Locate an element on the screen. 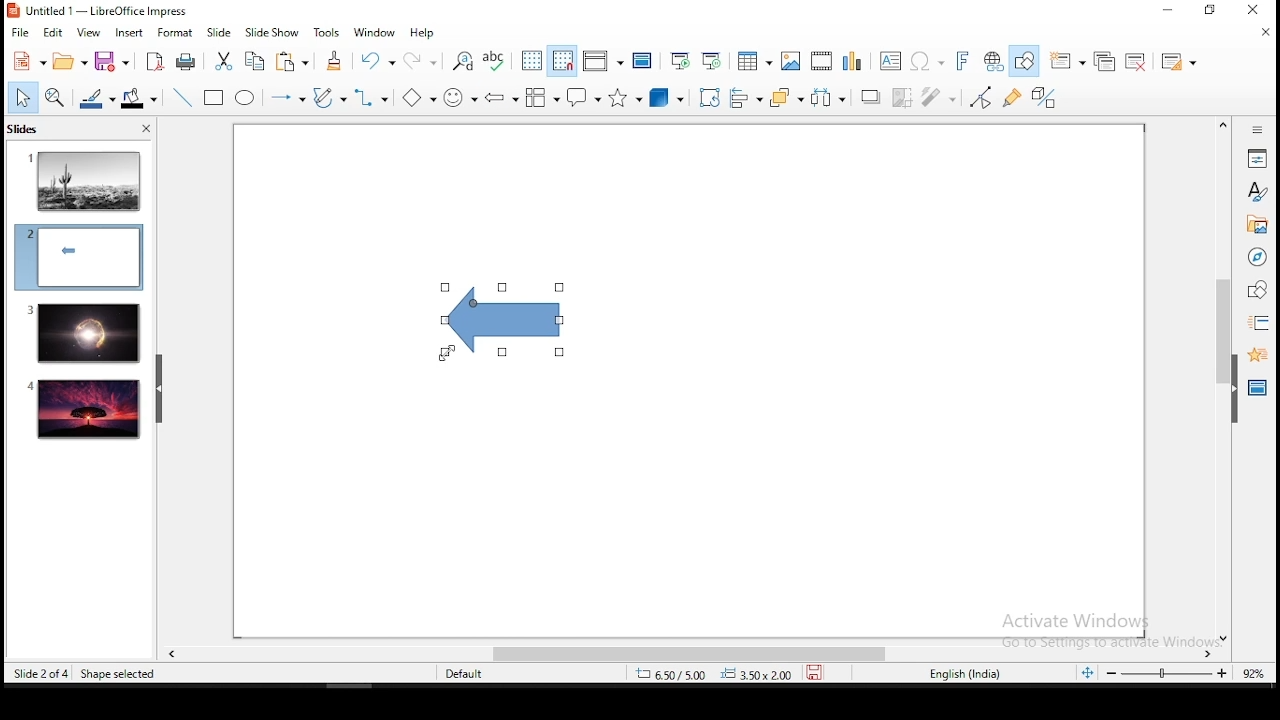  display grid is located at coordinates (531, 60).